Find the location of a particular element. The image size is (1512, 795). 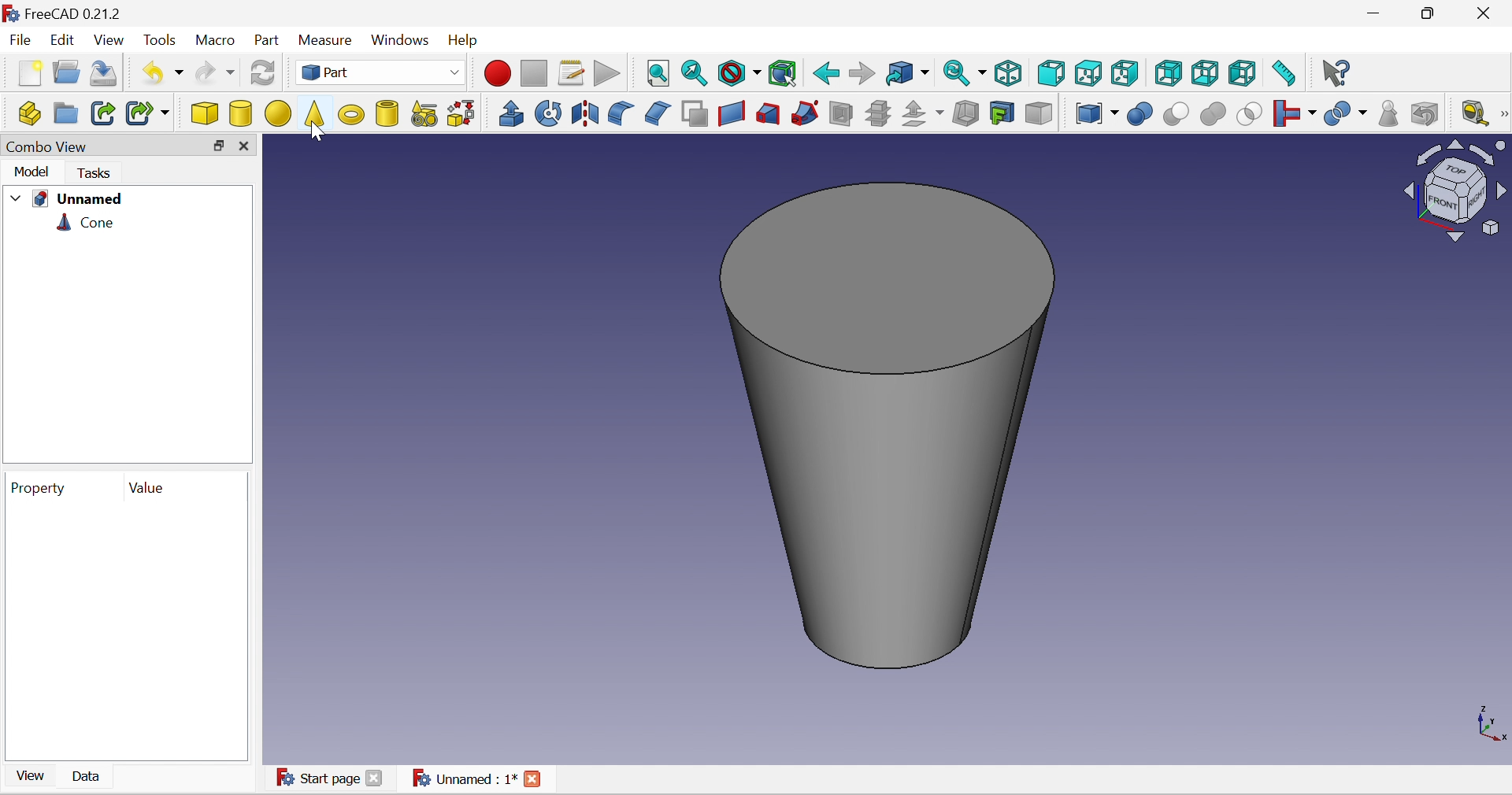

creation projection on surface is located at coordinates (1002, 113).